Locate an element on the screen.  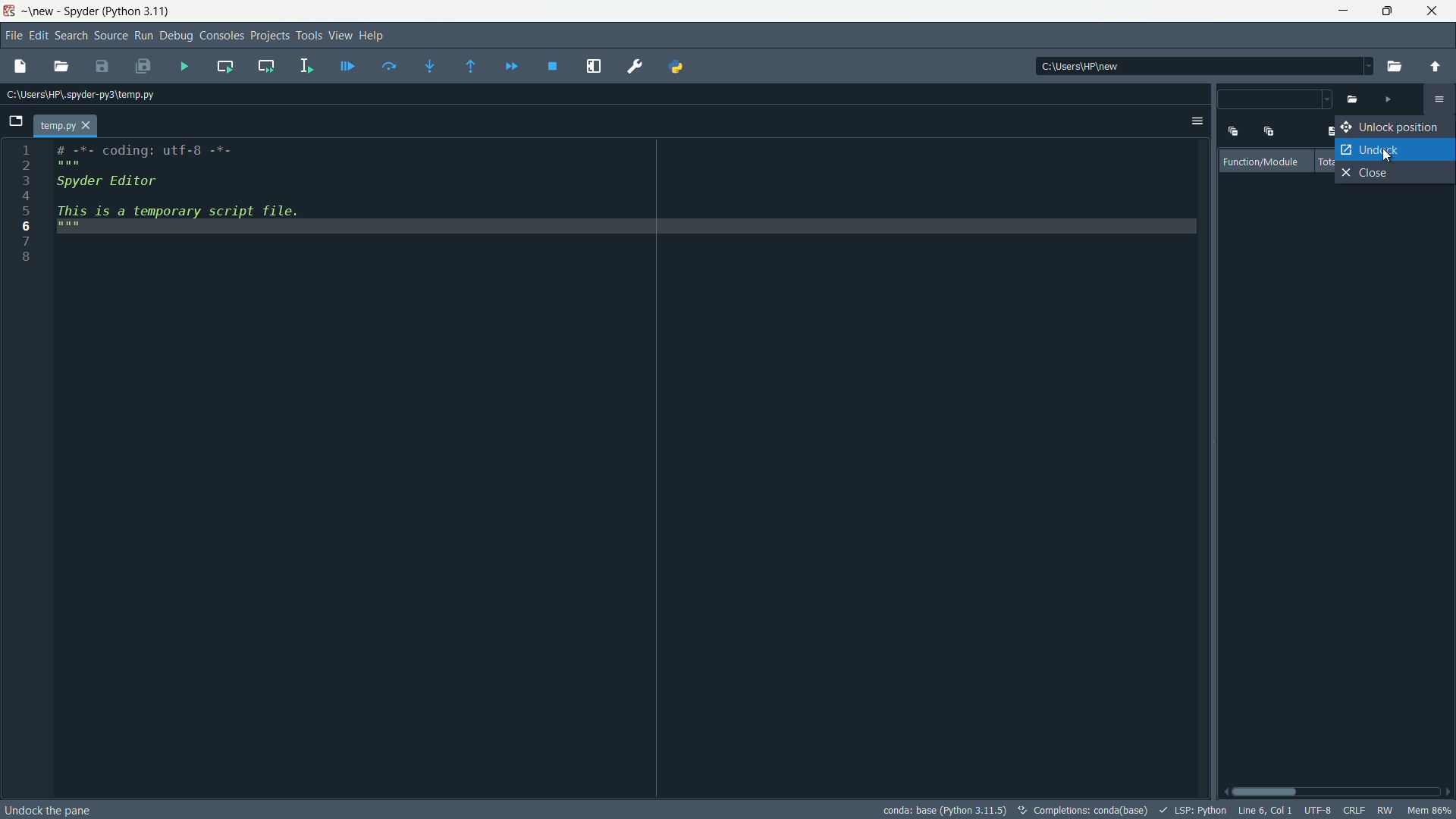
search menu is located at coordinates (70, 35).